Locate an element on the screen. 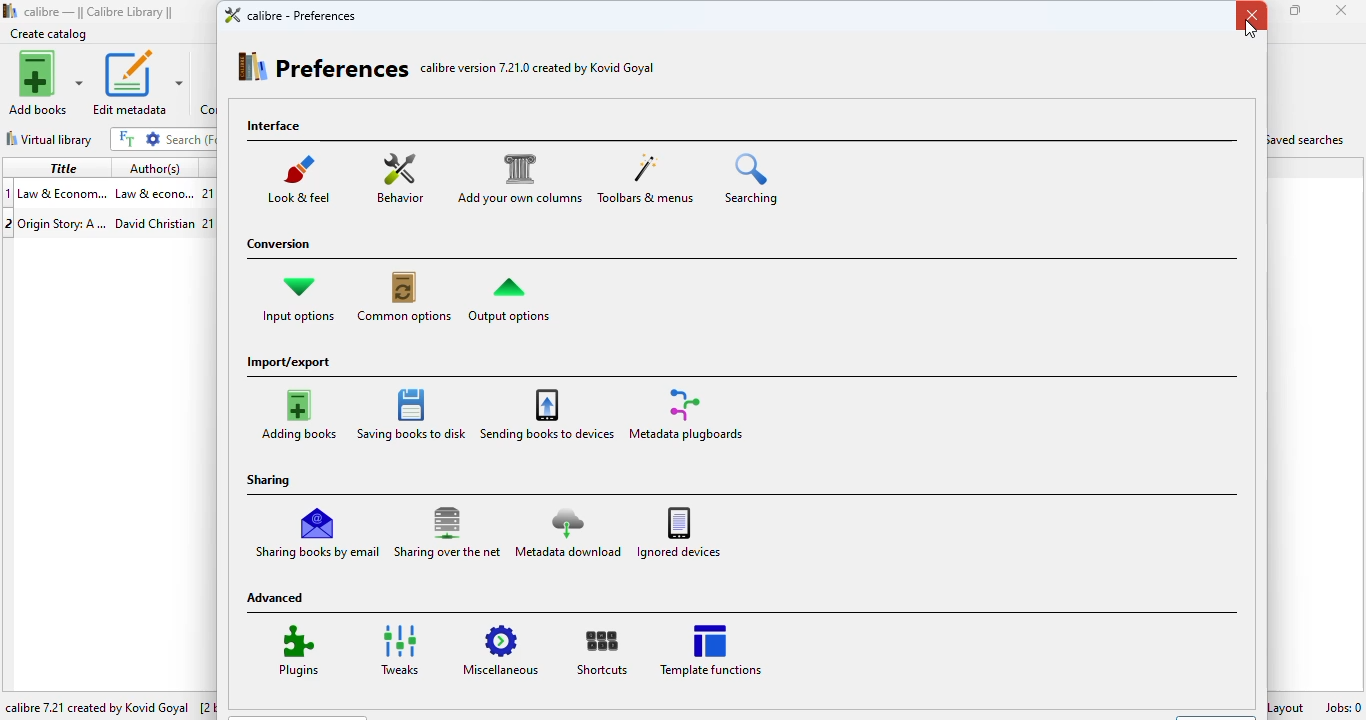 The image size is (1366, 720). book 2 is located at coordinates (109, 224).